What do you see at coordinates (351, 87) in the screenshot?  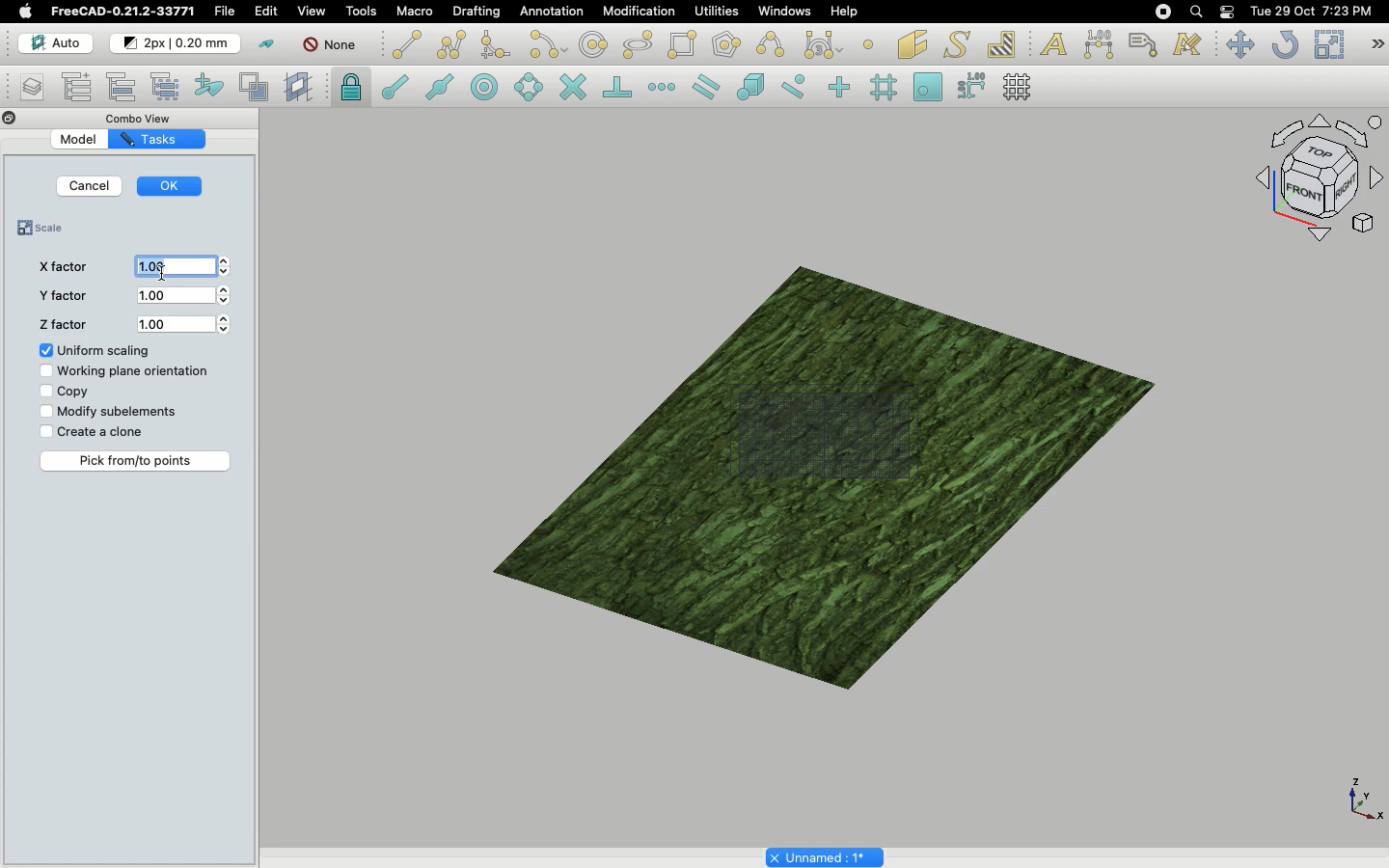 I see `Snap lock` at bounding box center [351, 87].